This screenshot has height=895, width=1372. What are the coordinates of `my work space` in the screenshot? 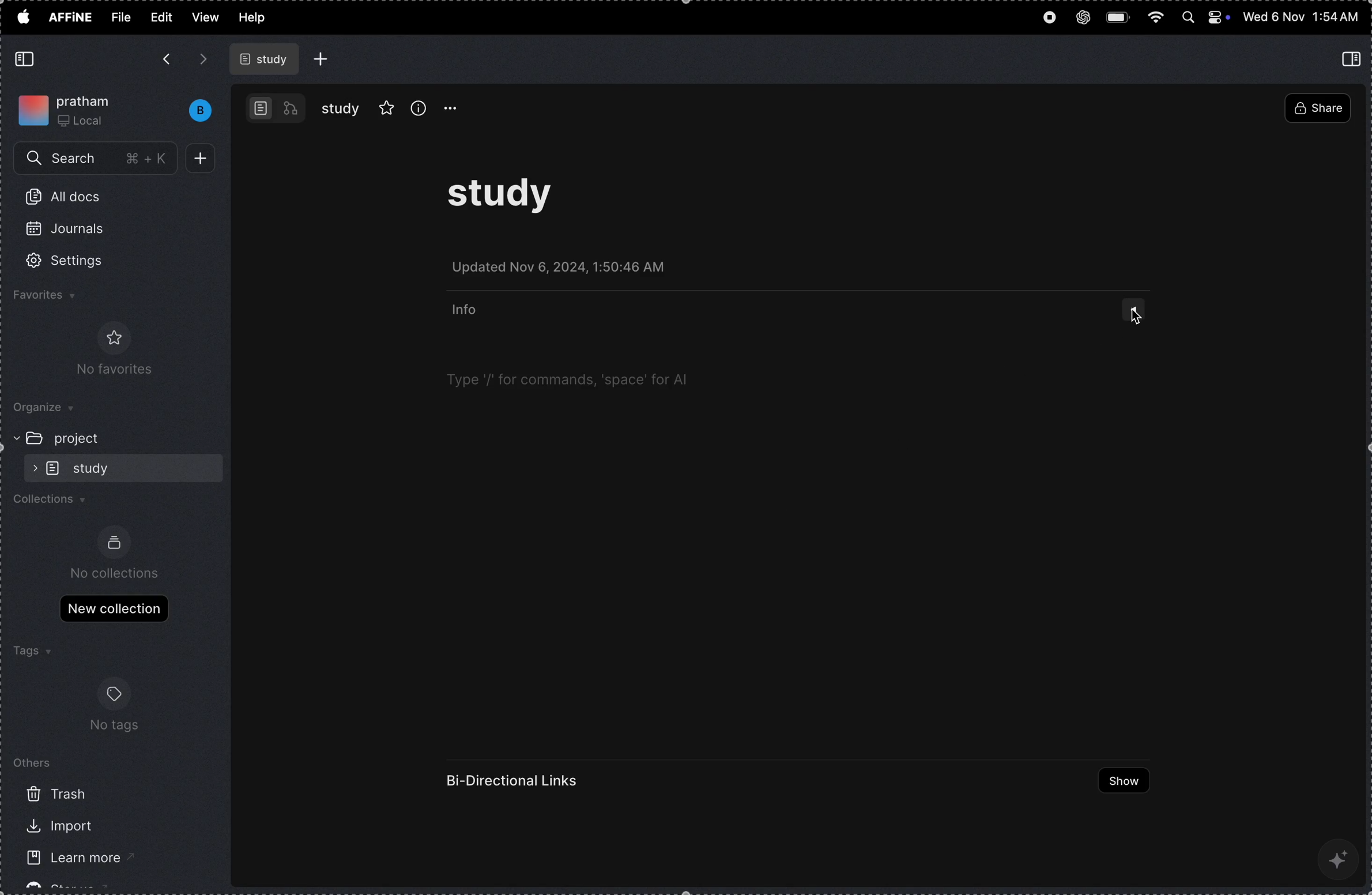 It's located at (69, 108).